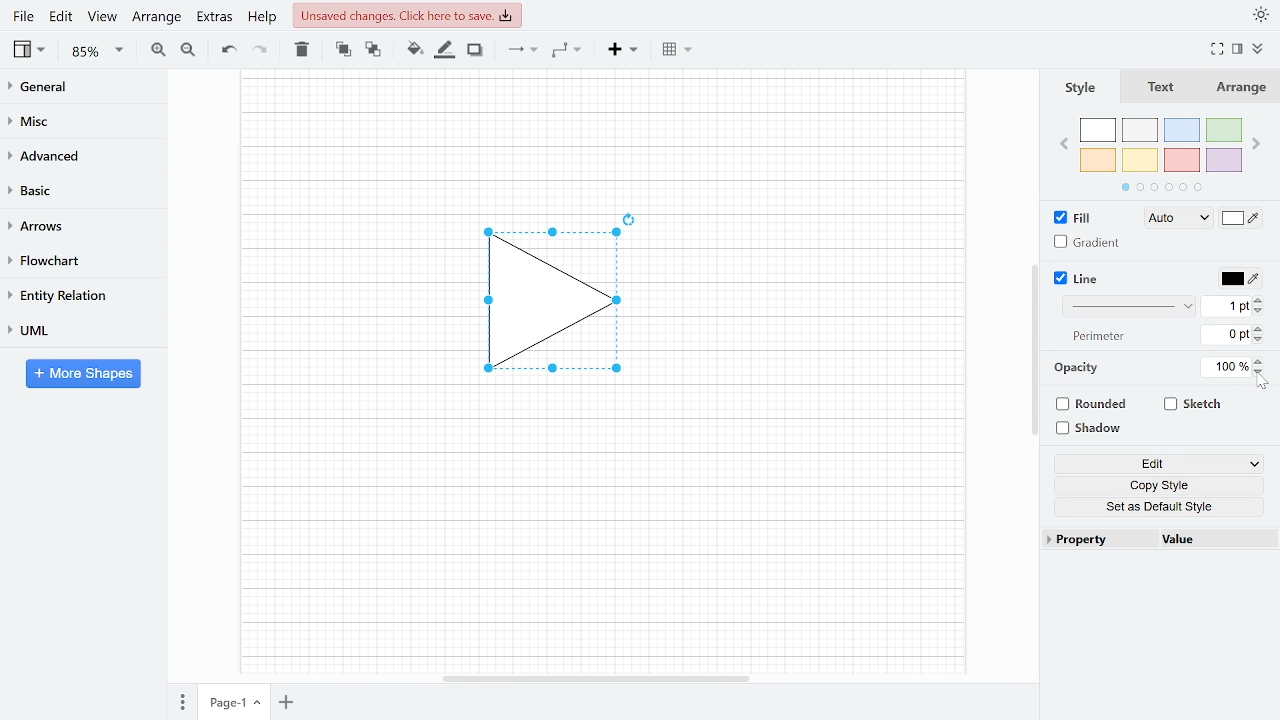  Describe the element at coordinates (264, 16) in the screenshot. I see `help` at that location.